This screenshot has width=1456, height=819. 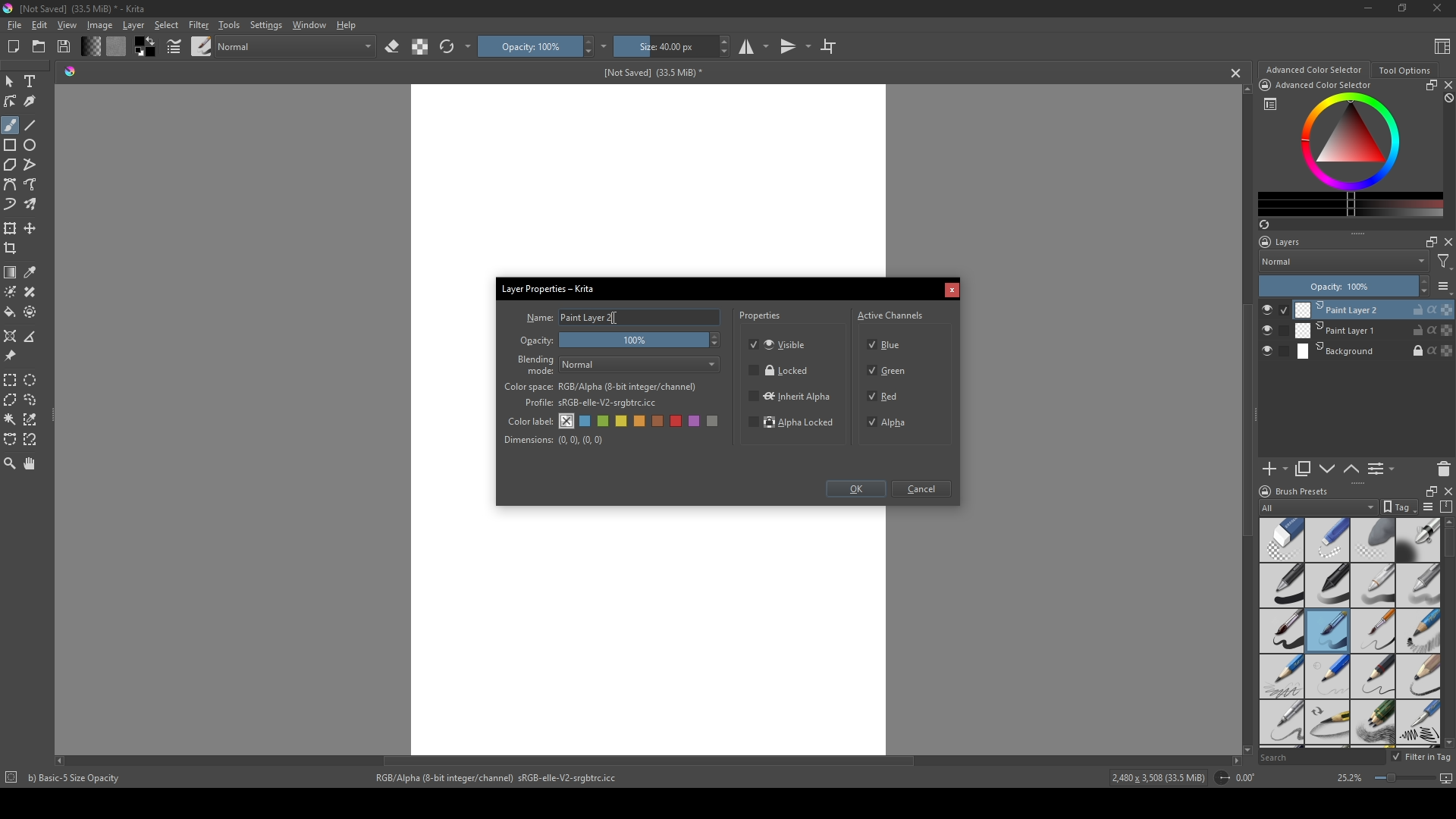 What do you see at coordinates (1447, 507) in the screenshot?
I see `compress` at bounding box center [1447, 507].